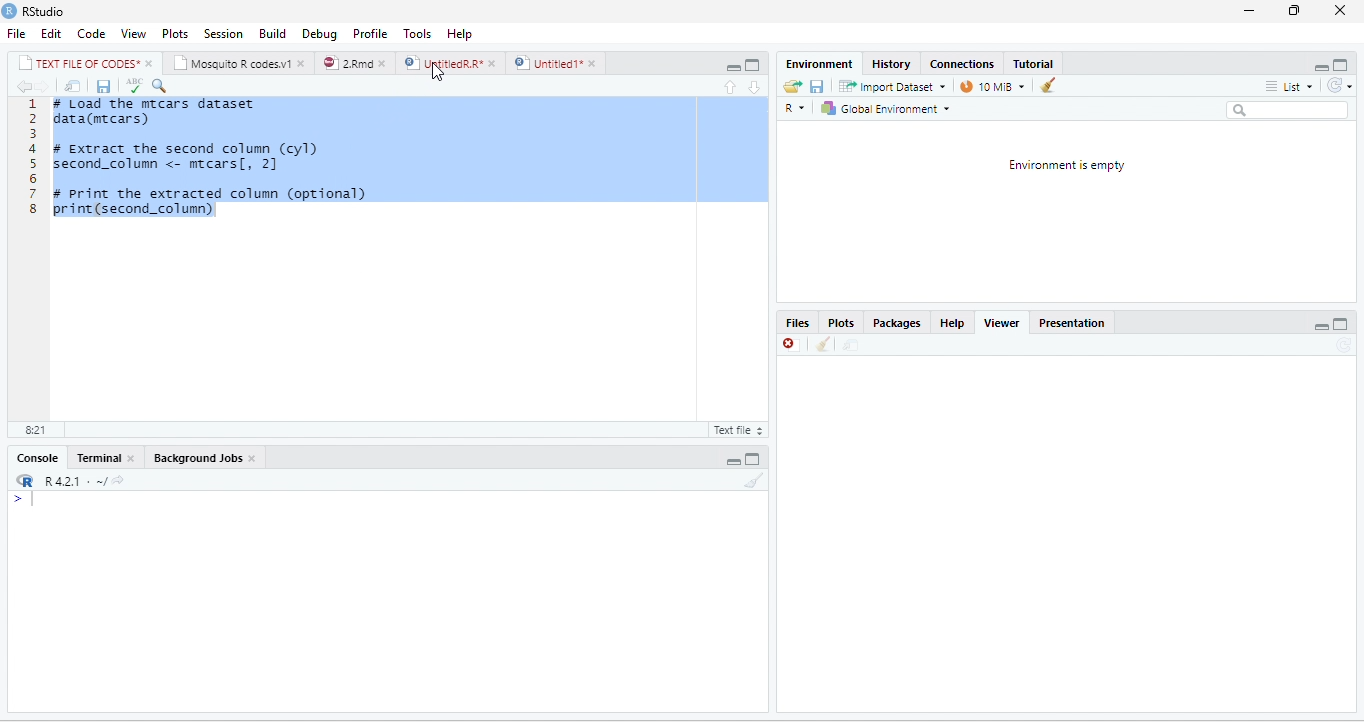 The image size is (1364, 722). What do you see at coordinates (1340, 10) in the screenshot?
I see `close` at bounding box center [1340, 10].